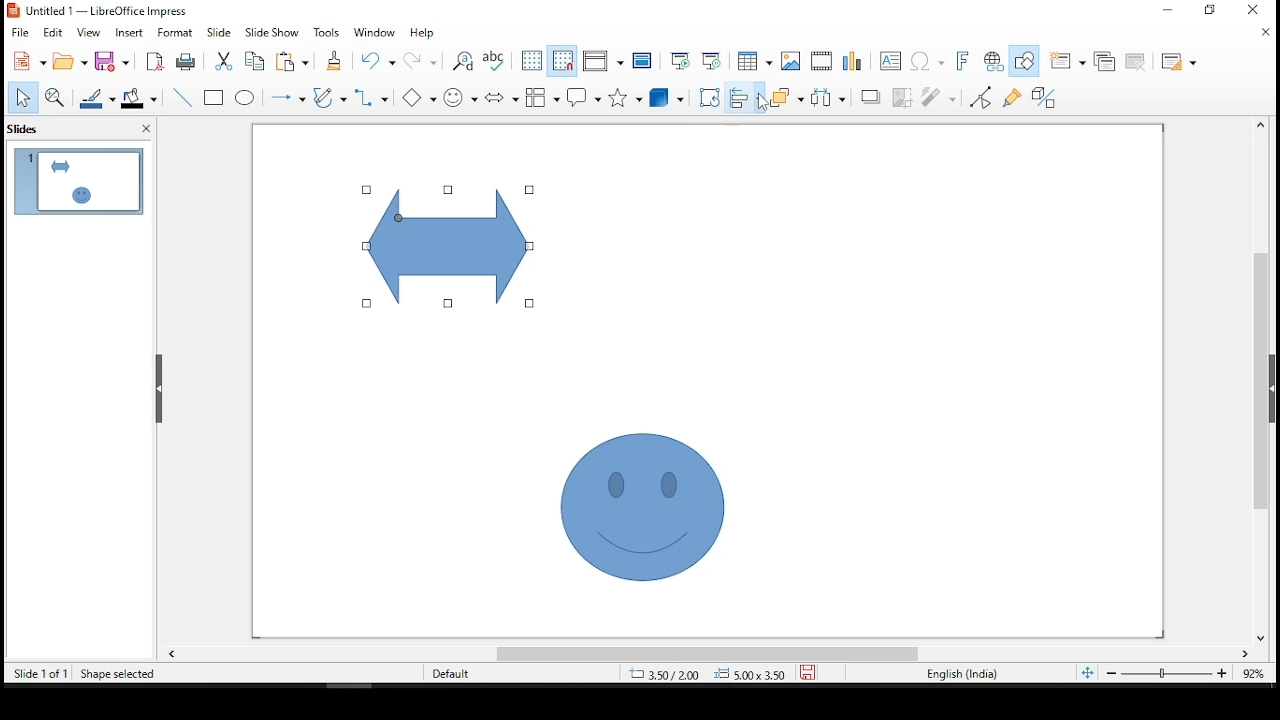  Describe the element at coordinates (451, 242) in the screenshot. I see `shape (selected)` at that location.